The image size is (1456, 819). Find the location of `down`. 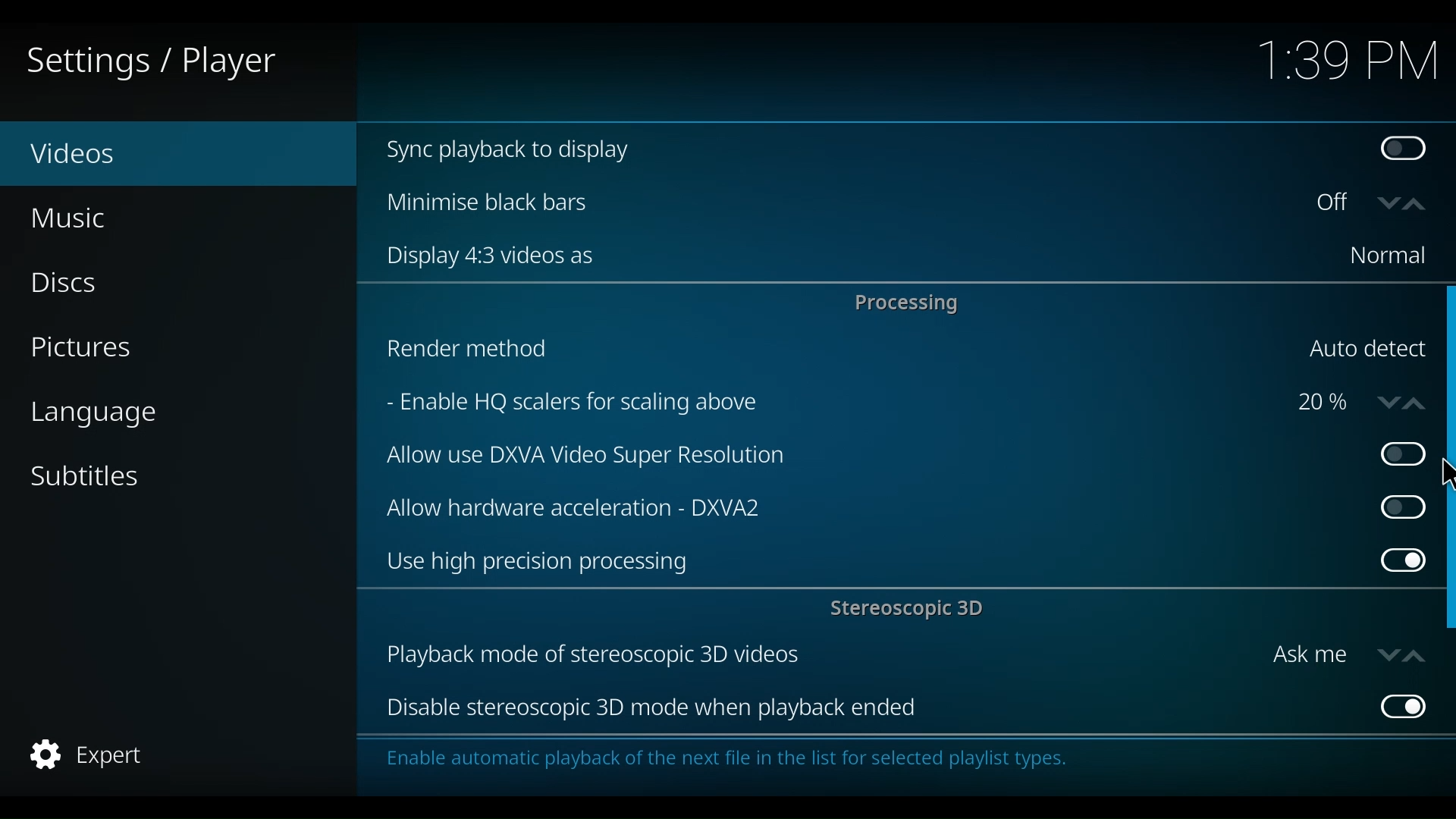

down is located at coordinates (1389, 203).